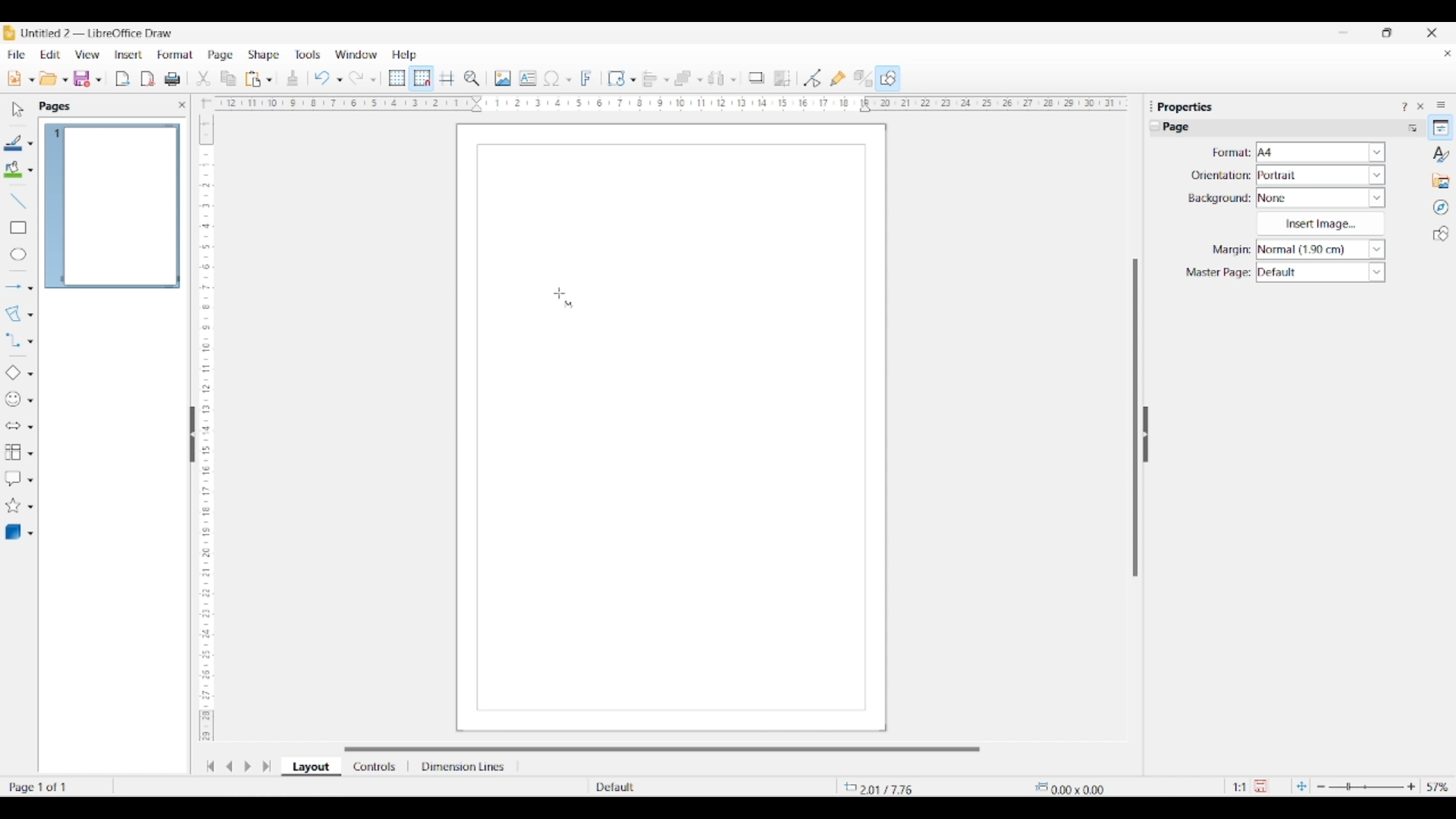 The height and width of the screenshot is (819, 1456). Describe the element at coordinates (111, 206) in the screenshot. I see `Current page` at that location.